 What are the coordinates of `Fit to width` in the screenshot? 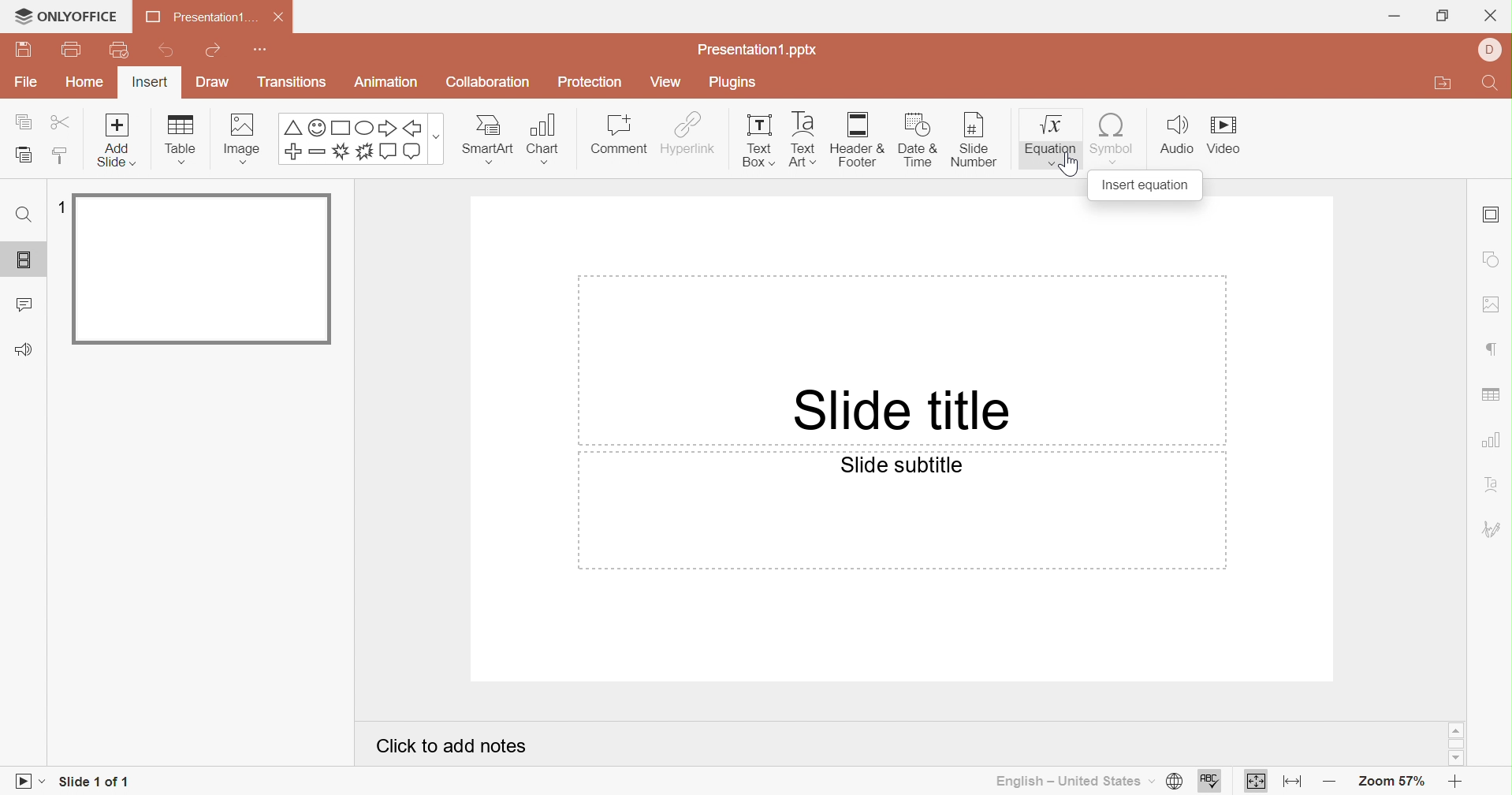 It's located at (1292, 784).